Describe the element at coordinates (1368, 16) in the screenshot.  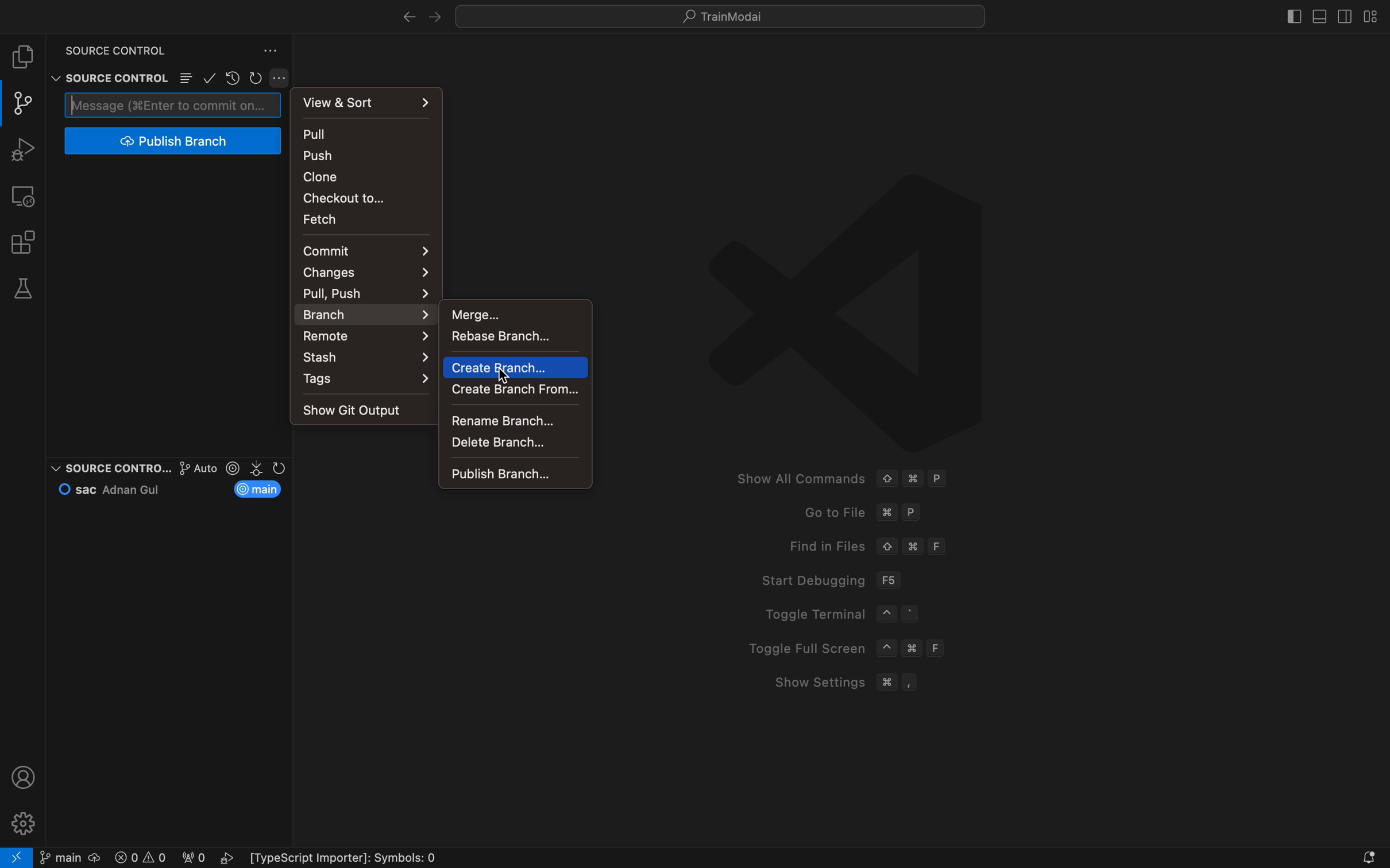
I see `layouts` at that location.